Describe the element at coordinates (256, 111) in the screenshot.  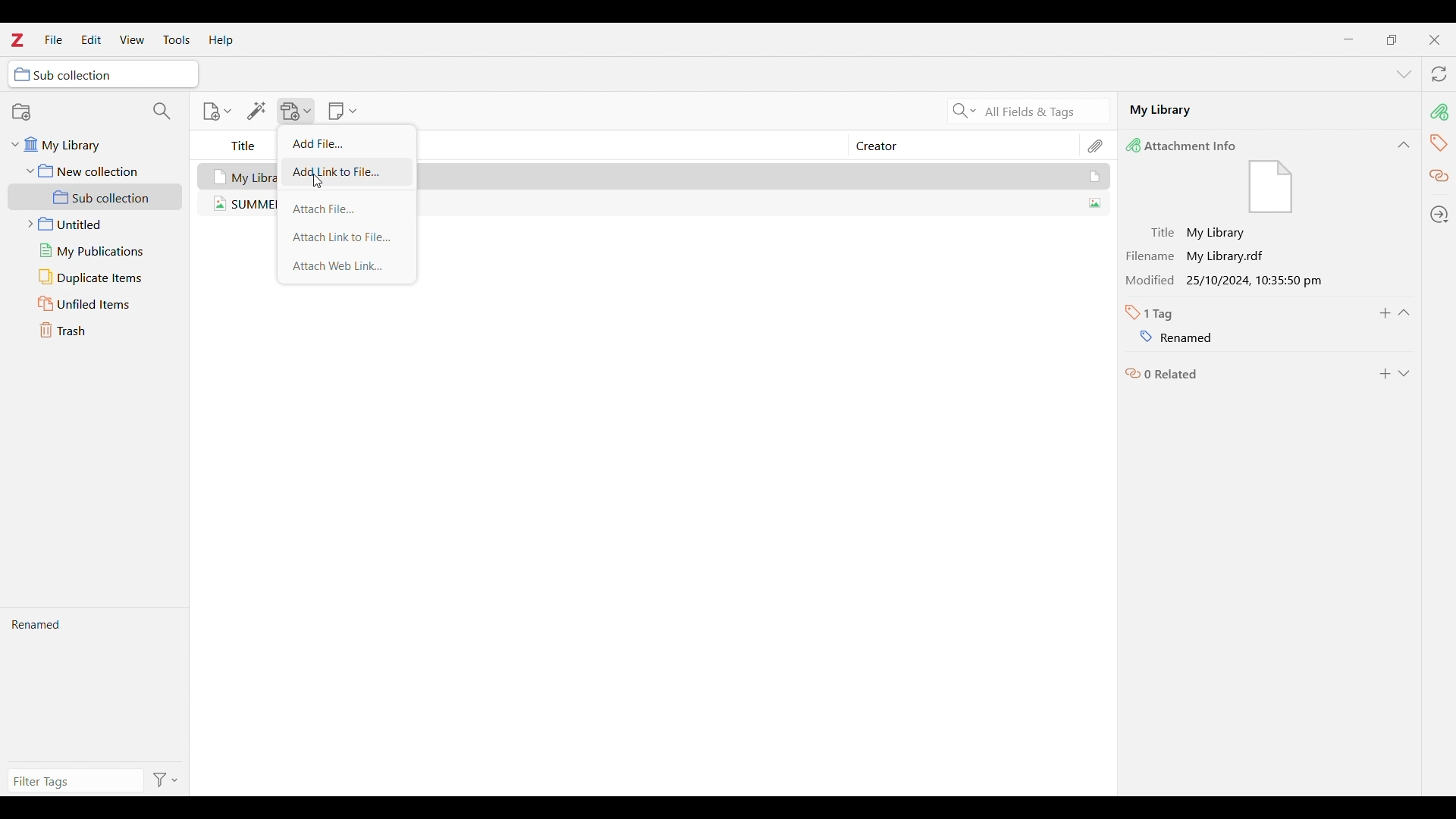
I see `Add item/s by identifier` at that location.